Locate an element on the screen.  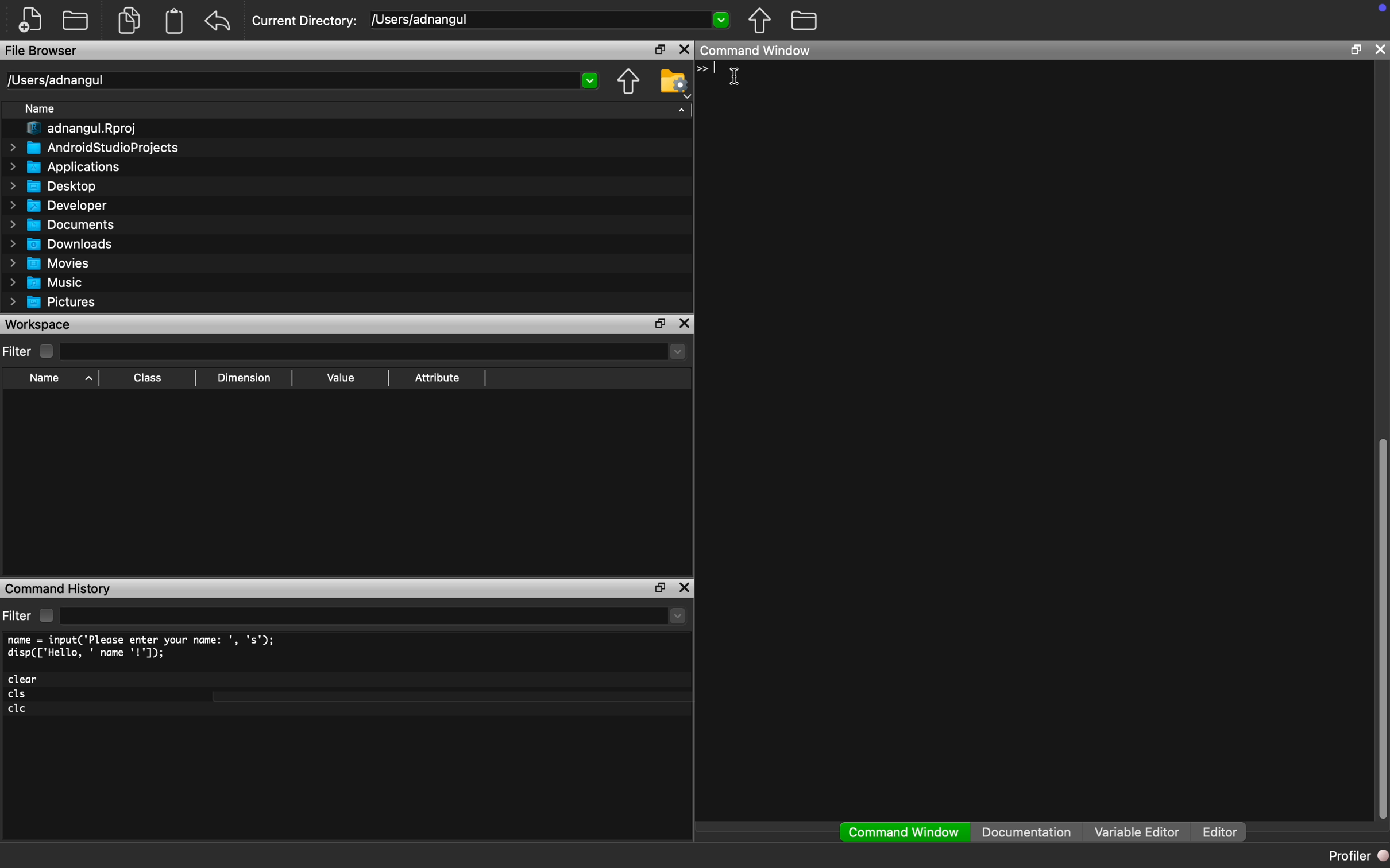
previous file is located at coordinates (760, 21).